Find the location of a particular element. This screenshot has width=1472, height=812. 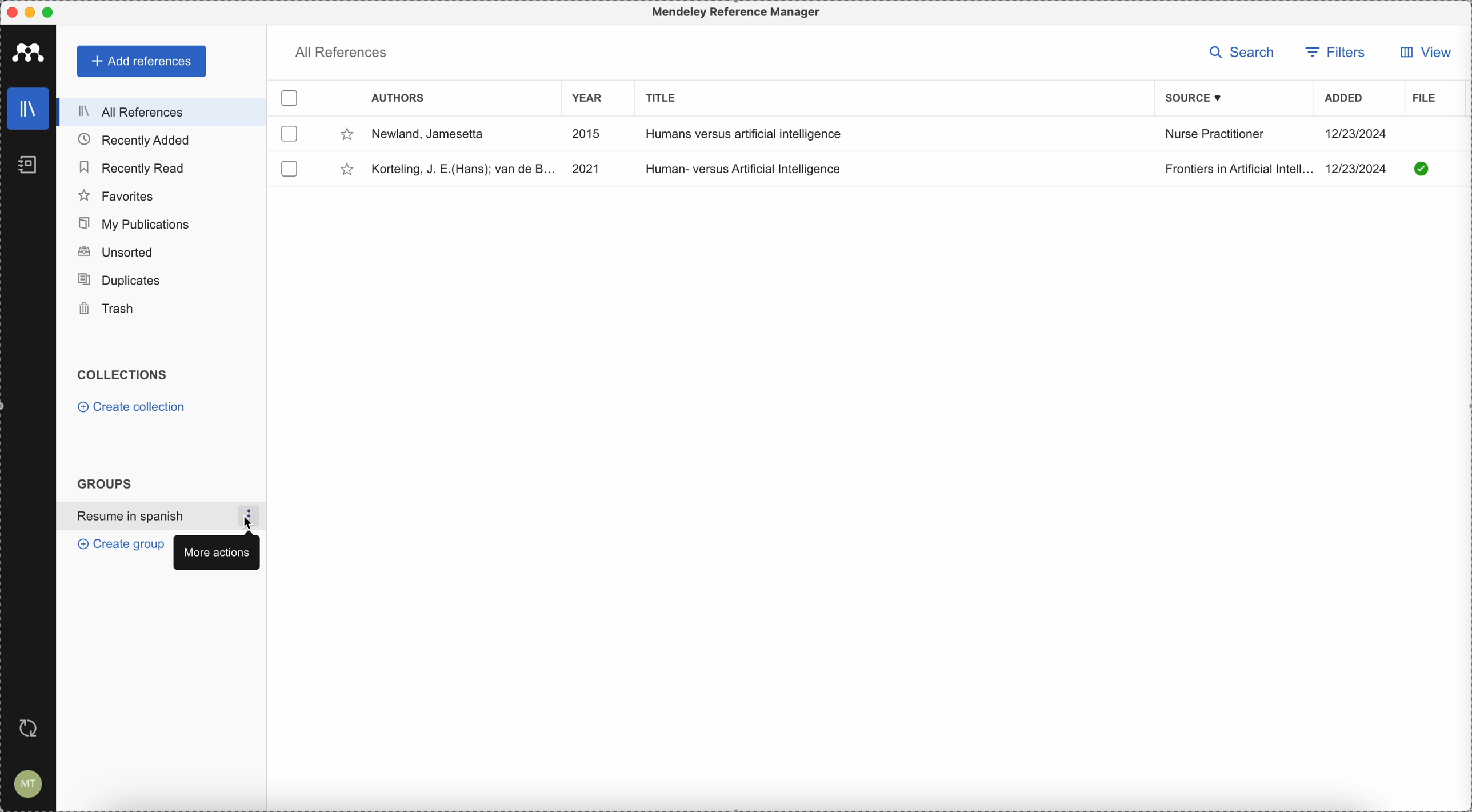

2015 is located at coordinates (589, 136).